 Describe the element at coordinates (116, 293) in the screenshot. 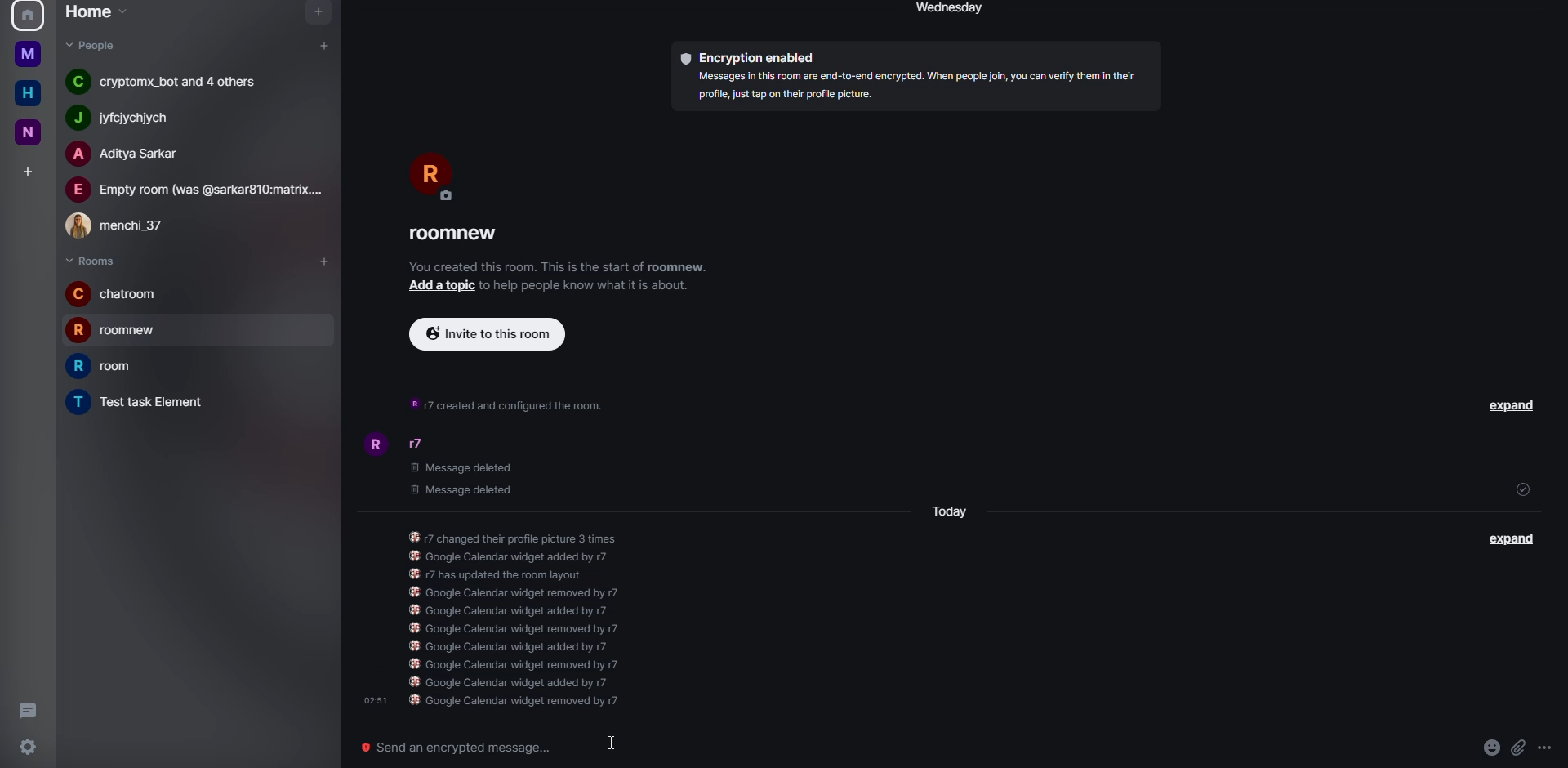

I see `room` at that location.